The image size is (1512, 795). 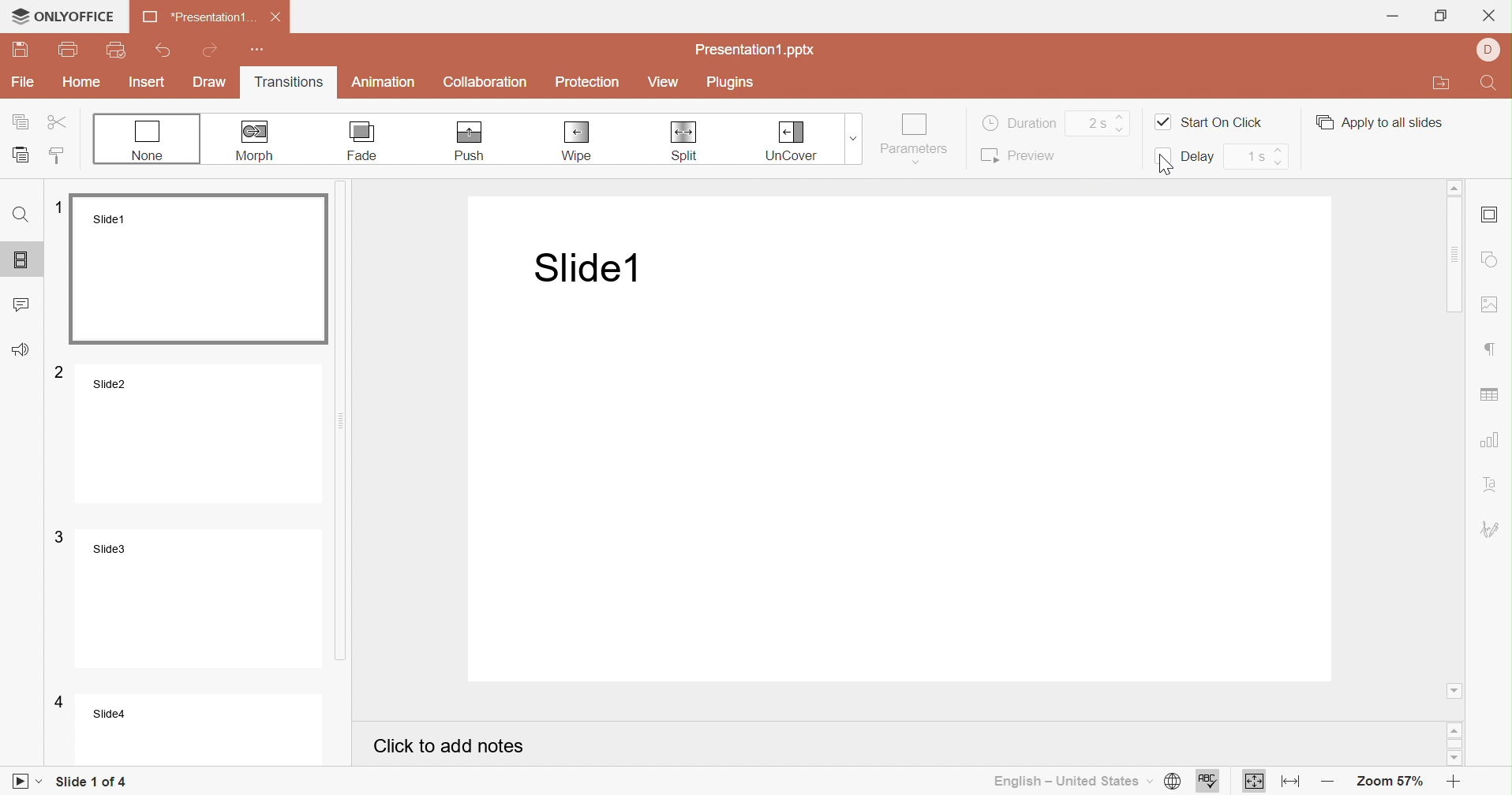 I want to click on Click to add notes, so click(x=449, y=746).